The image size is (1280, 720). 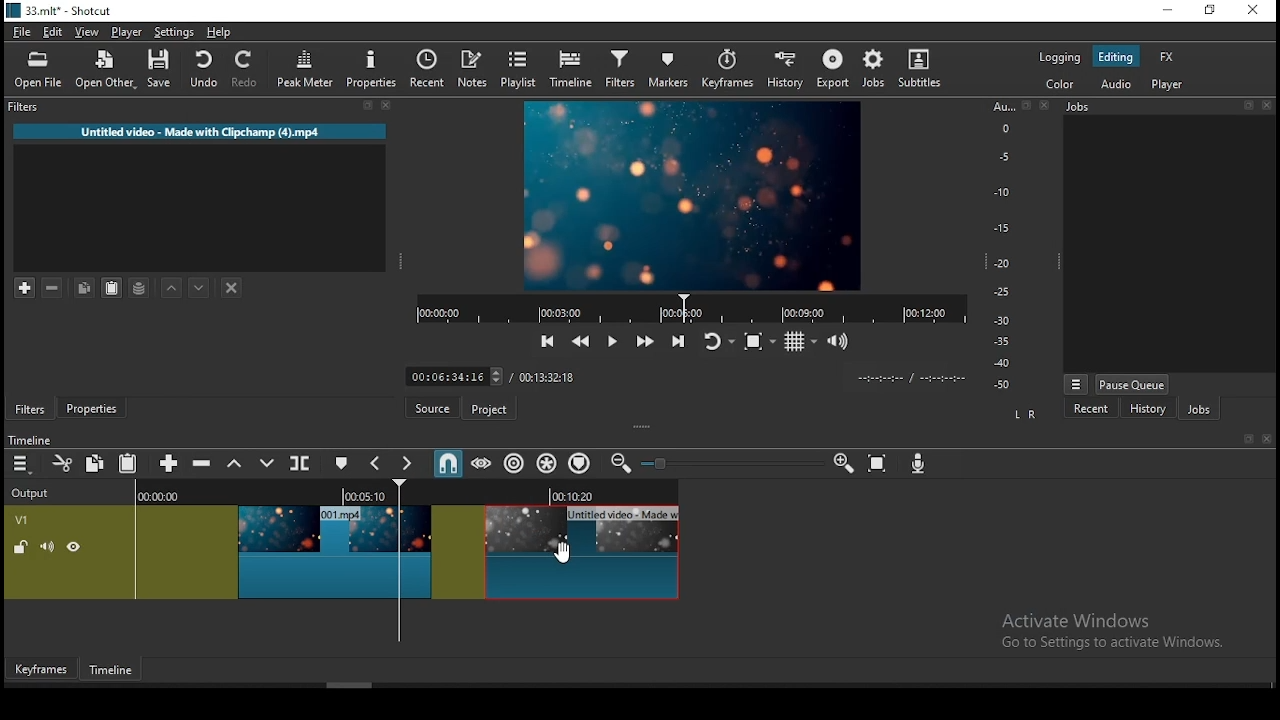 I want to click on video track, so click(x=342, y=544).